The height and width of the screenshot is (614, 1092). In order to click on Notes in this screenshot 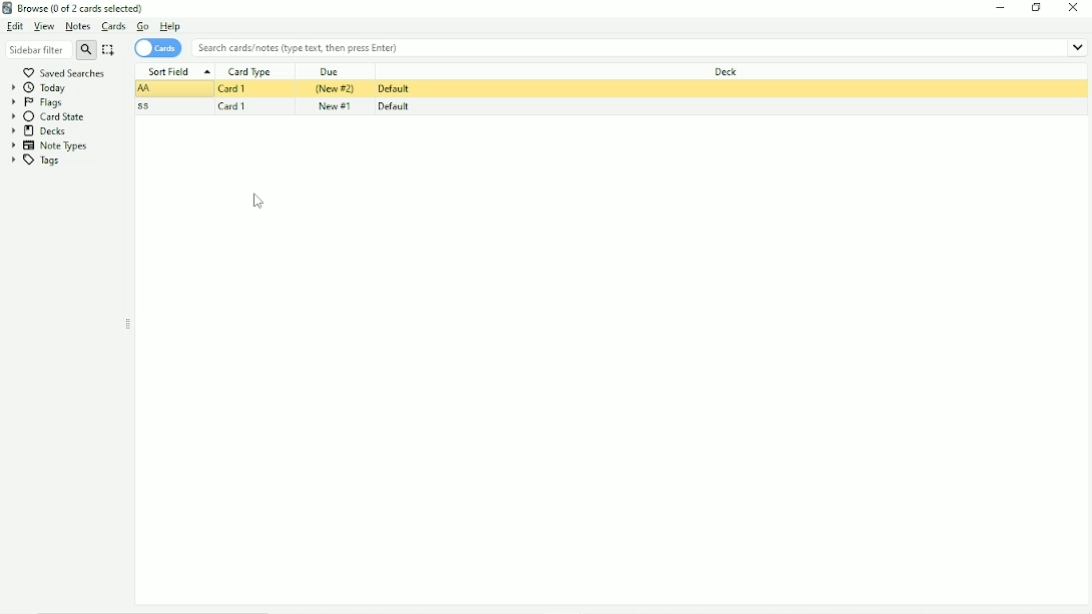, I will do `click(78, 27)`.